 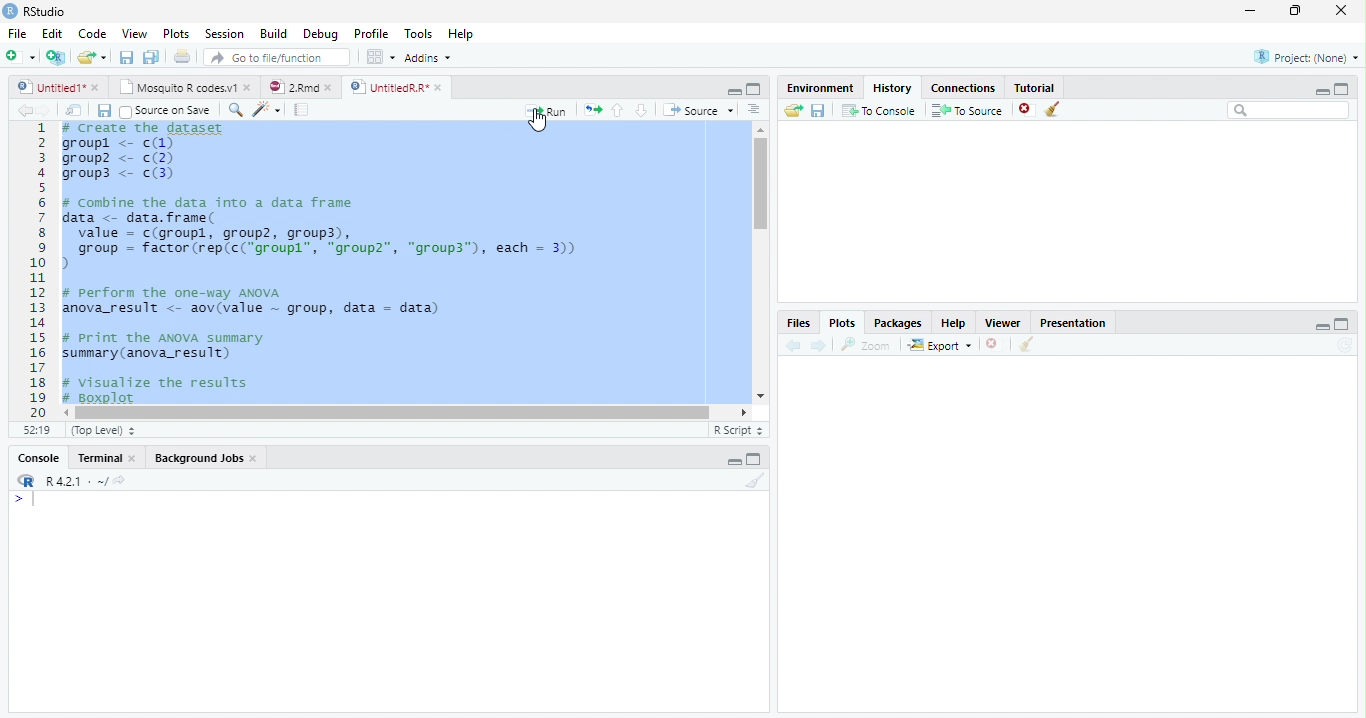 What do you see at coordinates (38, 460) in the screenshot?
I see `Console` at bounding box center [38, 460].